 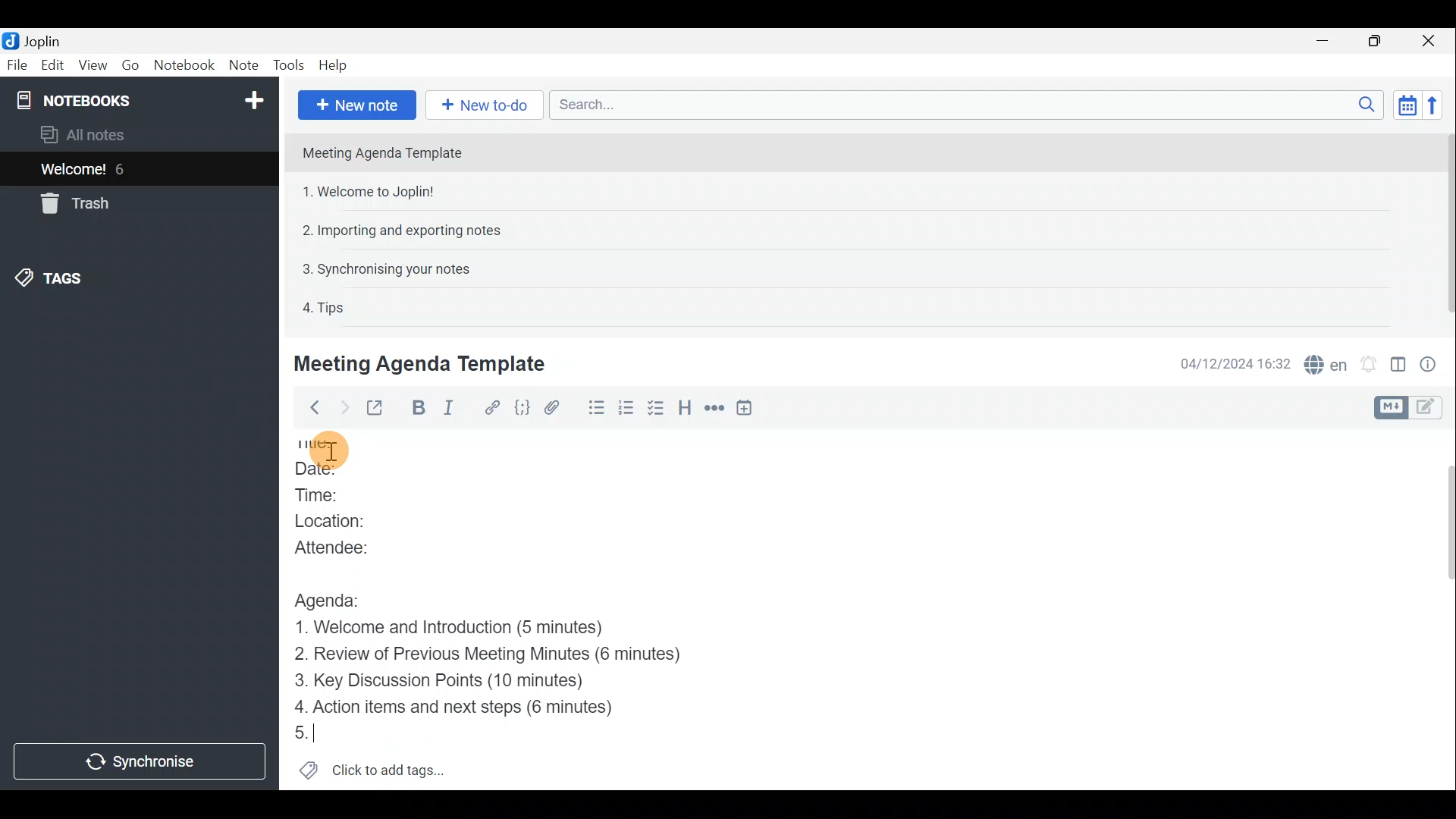 I want to click on Note, so click(x=242, y=62).